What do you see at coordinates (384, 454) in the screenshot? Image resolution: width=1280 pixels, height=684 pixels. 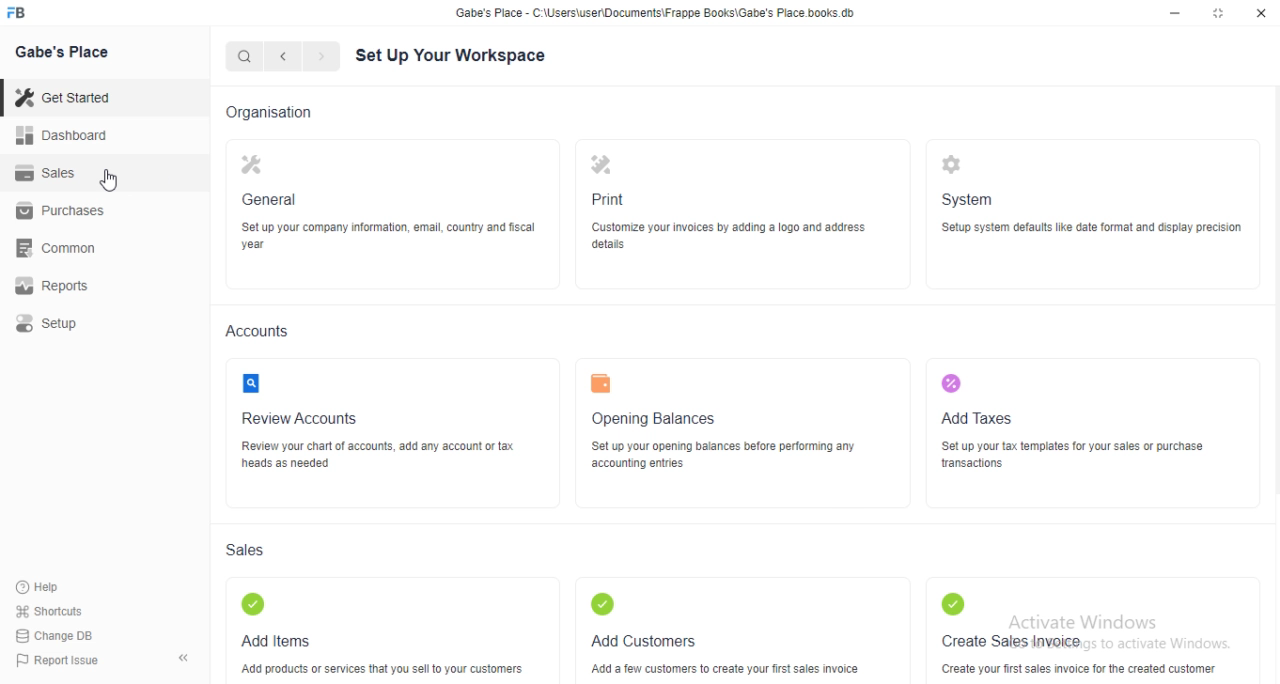 I see `Review your chart of accounts, add any account of tax heads as needed` at bounding box center [384, 454].